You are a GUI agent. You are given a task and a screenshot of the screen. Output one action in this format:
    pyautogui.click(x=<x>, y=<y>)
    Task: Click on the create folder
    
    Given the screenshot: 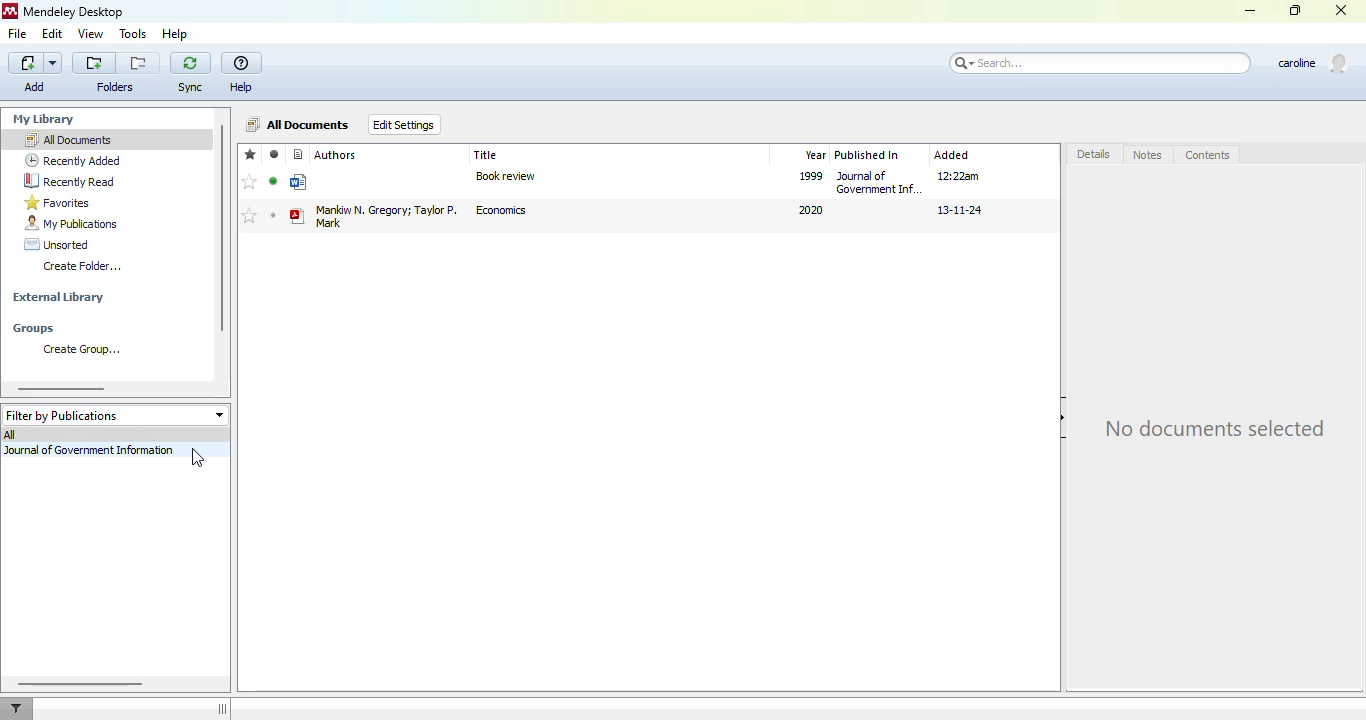 What is the action you would take?
    pyautogui.click(x=82, y=266)
    